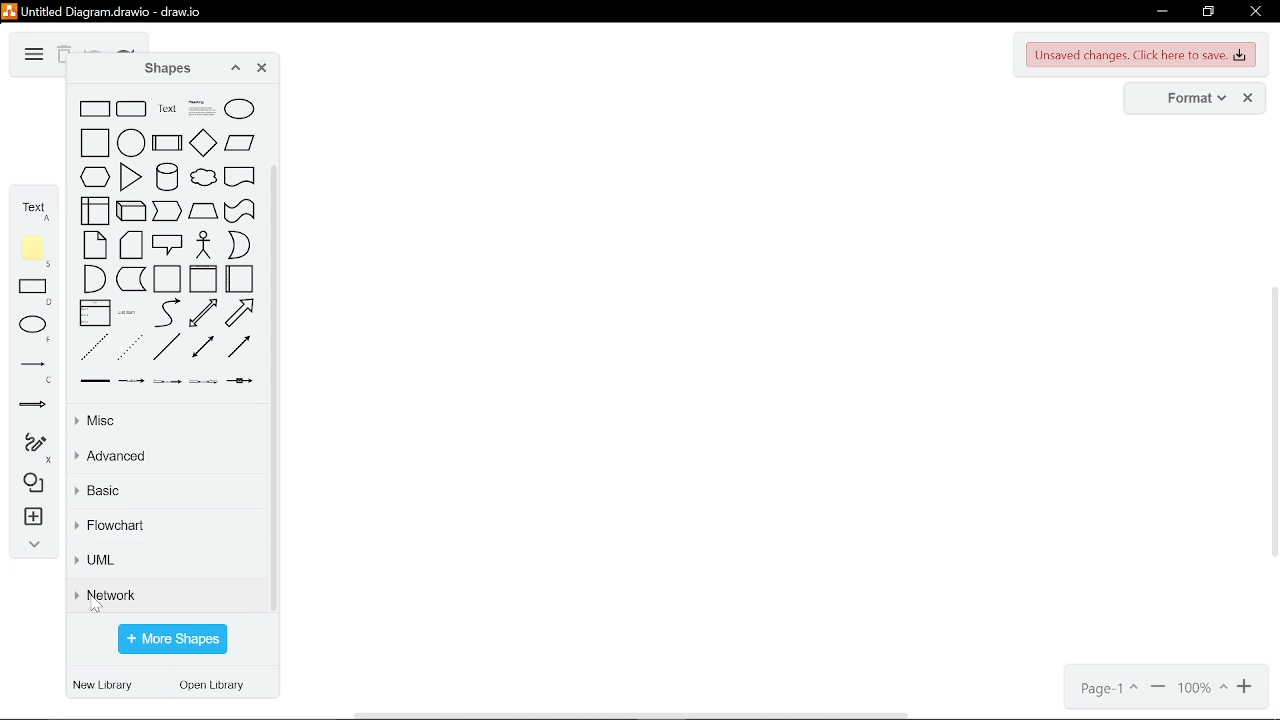  I want to click on note, so click(94, 245).